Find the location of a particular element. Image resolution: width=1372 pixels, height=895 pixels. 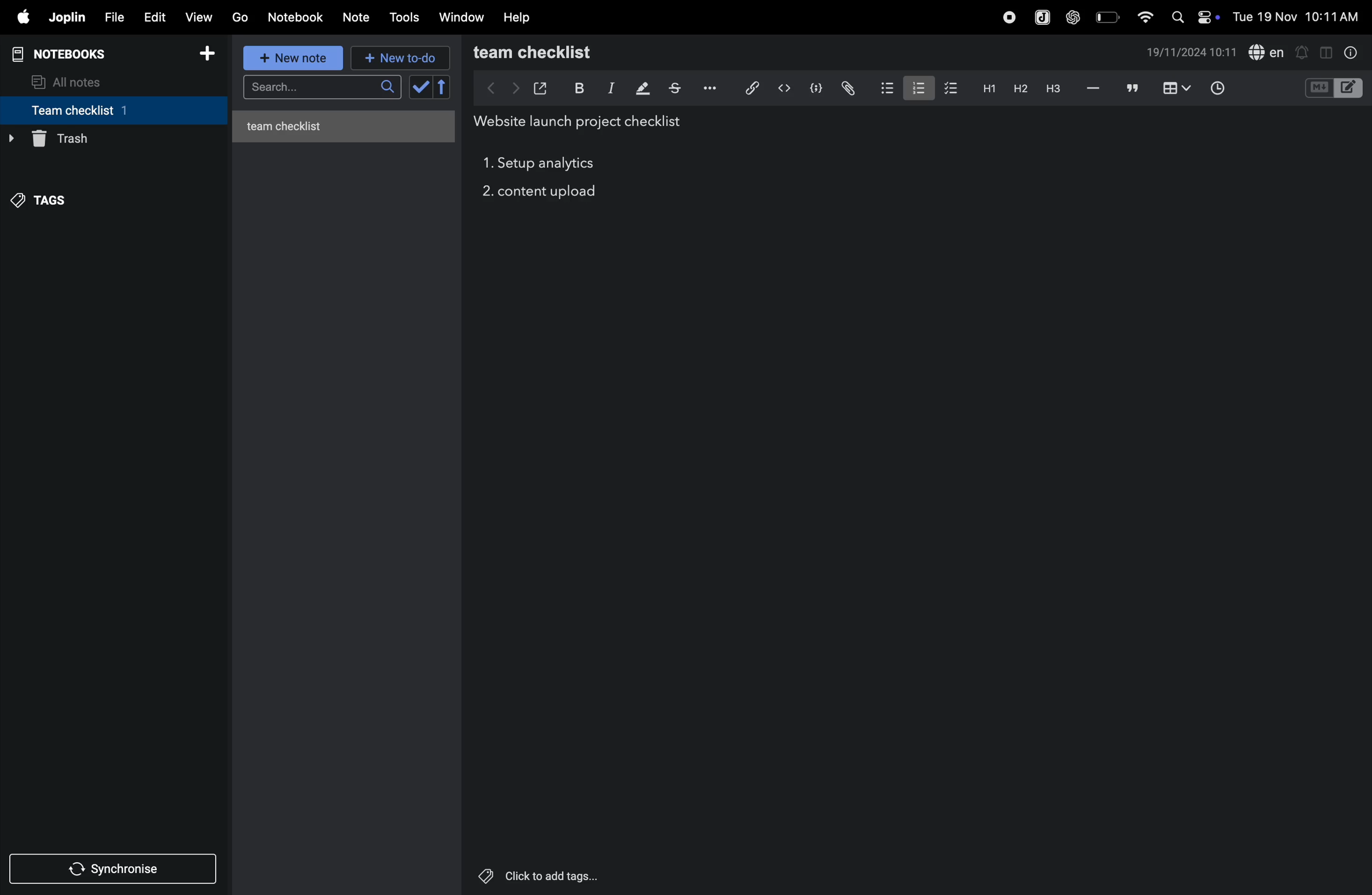

title is located at coordinates (583, 122).